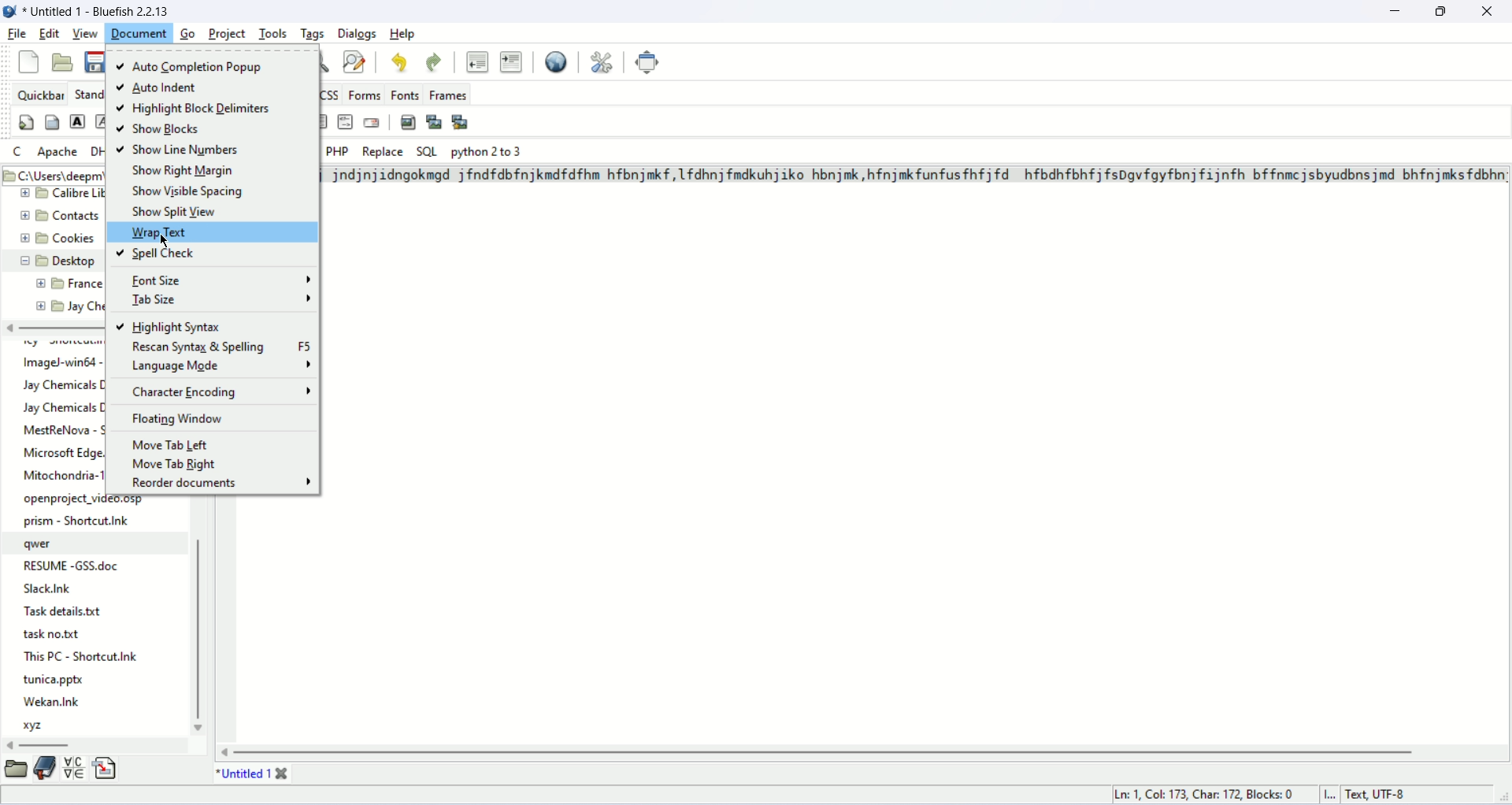 This screenshot has height=805, width=1512. I want to click on C, so click(17, 151).